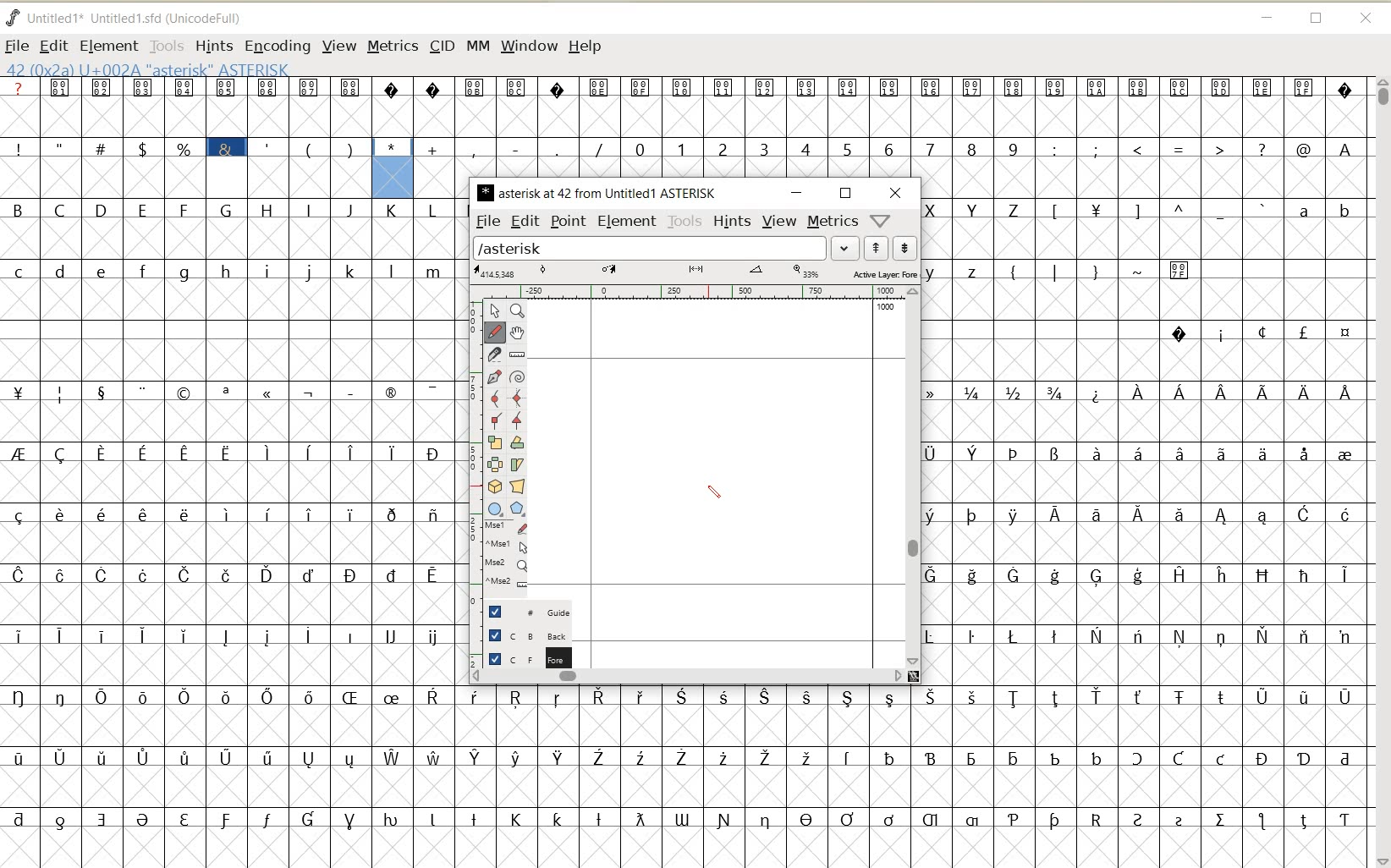  Describe the element at coordinates (666, 128) in the screenshot. I see `GLYPHY SPECIAL CHARACTERS AND NUMBERS` at that location.